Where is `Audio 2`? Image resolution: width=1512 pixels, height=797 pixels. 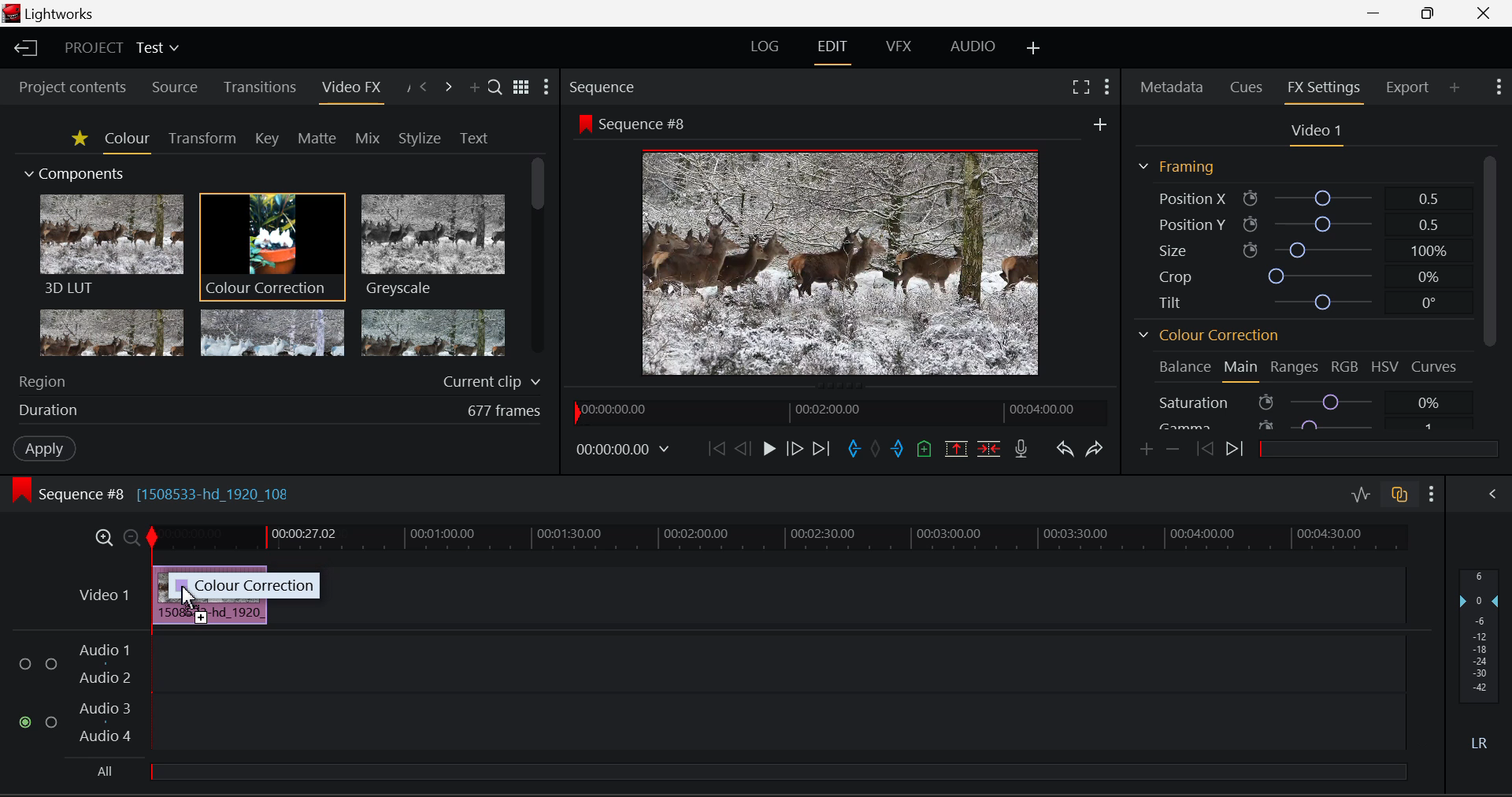 Audio 2 is located at coordinates (104, 679).